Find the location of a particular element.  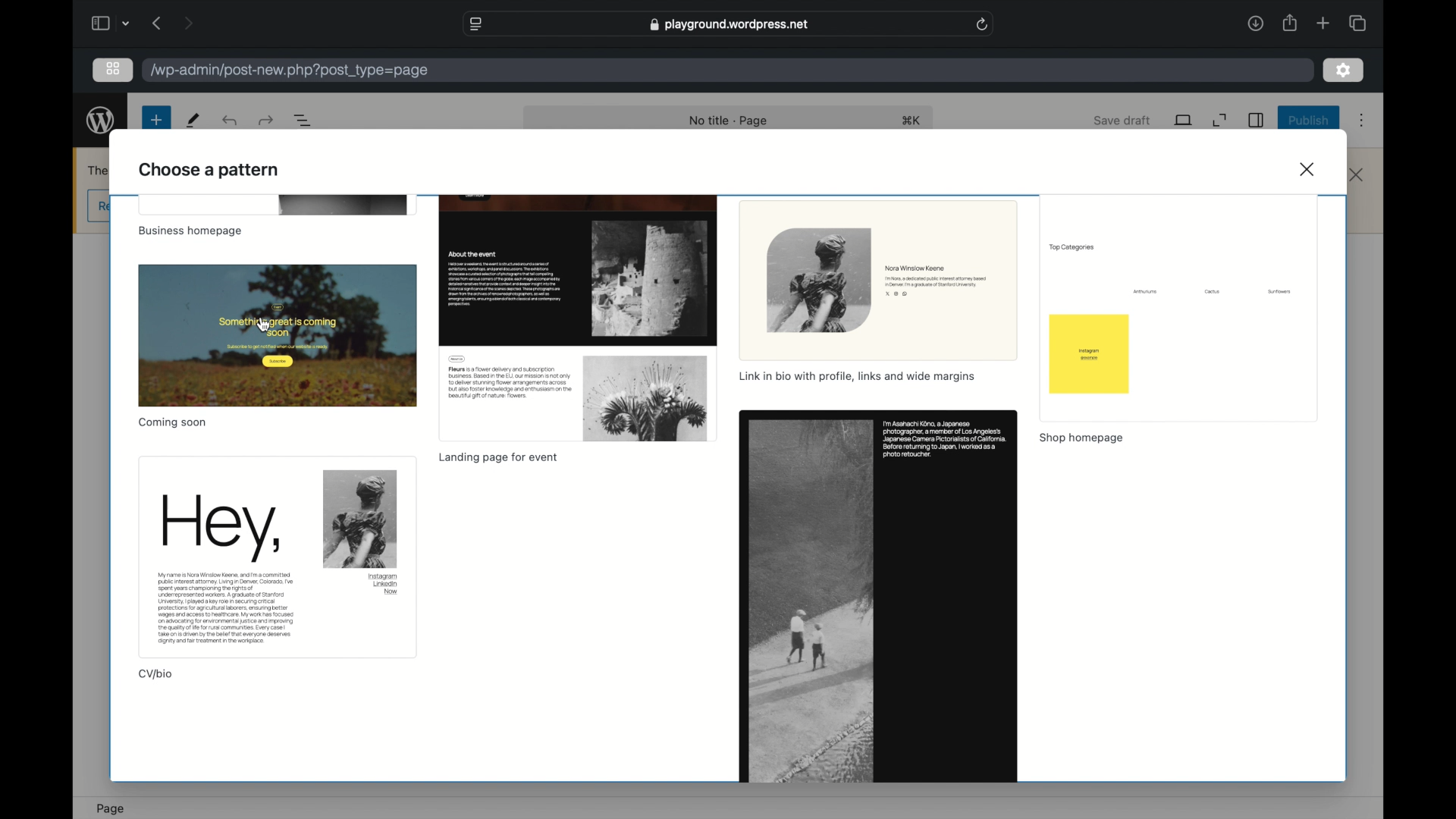

preview is located at coordinates (276, 557).